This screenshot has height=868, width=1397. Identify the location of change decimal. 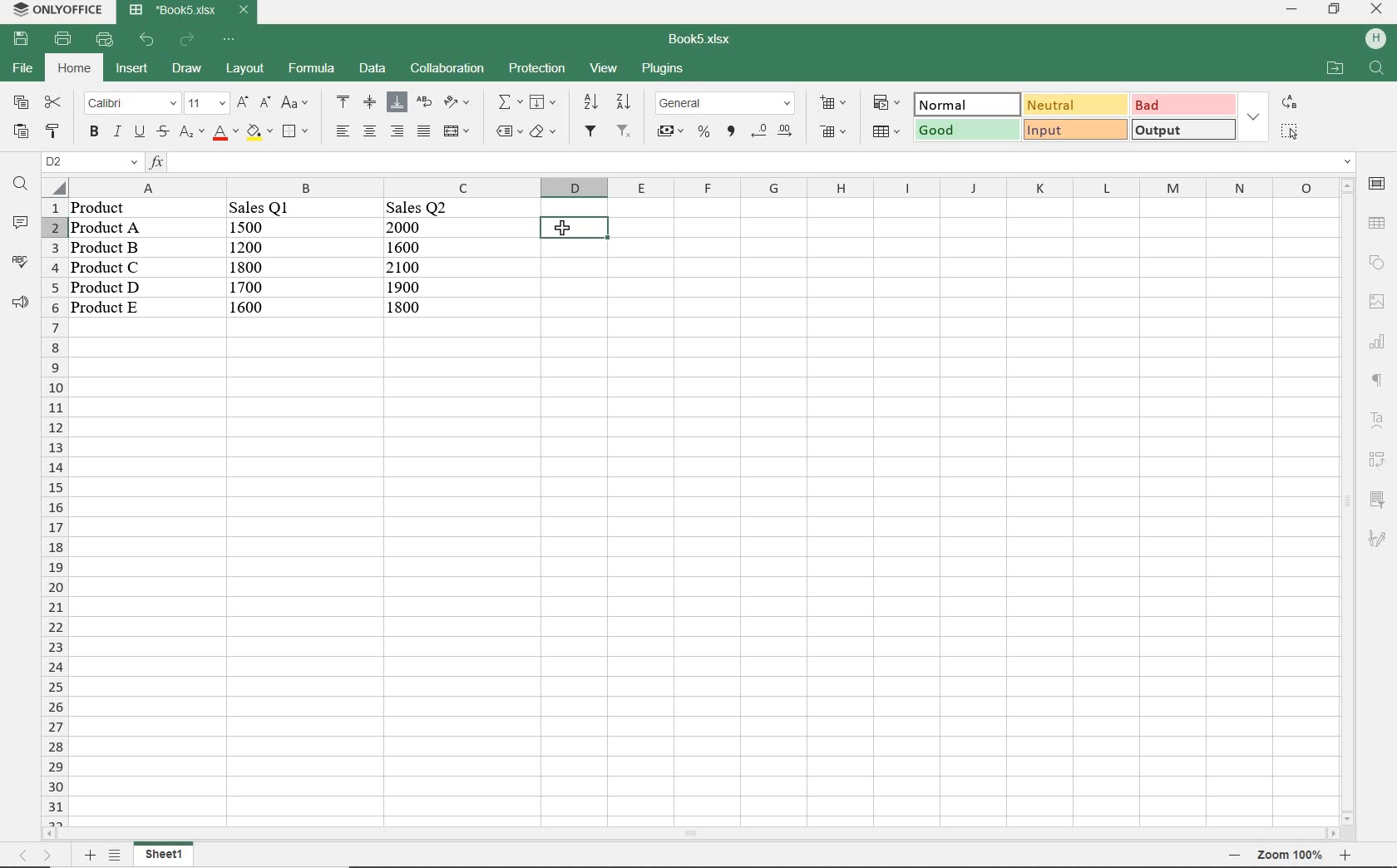
(772, 133).